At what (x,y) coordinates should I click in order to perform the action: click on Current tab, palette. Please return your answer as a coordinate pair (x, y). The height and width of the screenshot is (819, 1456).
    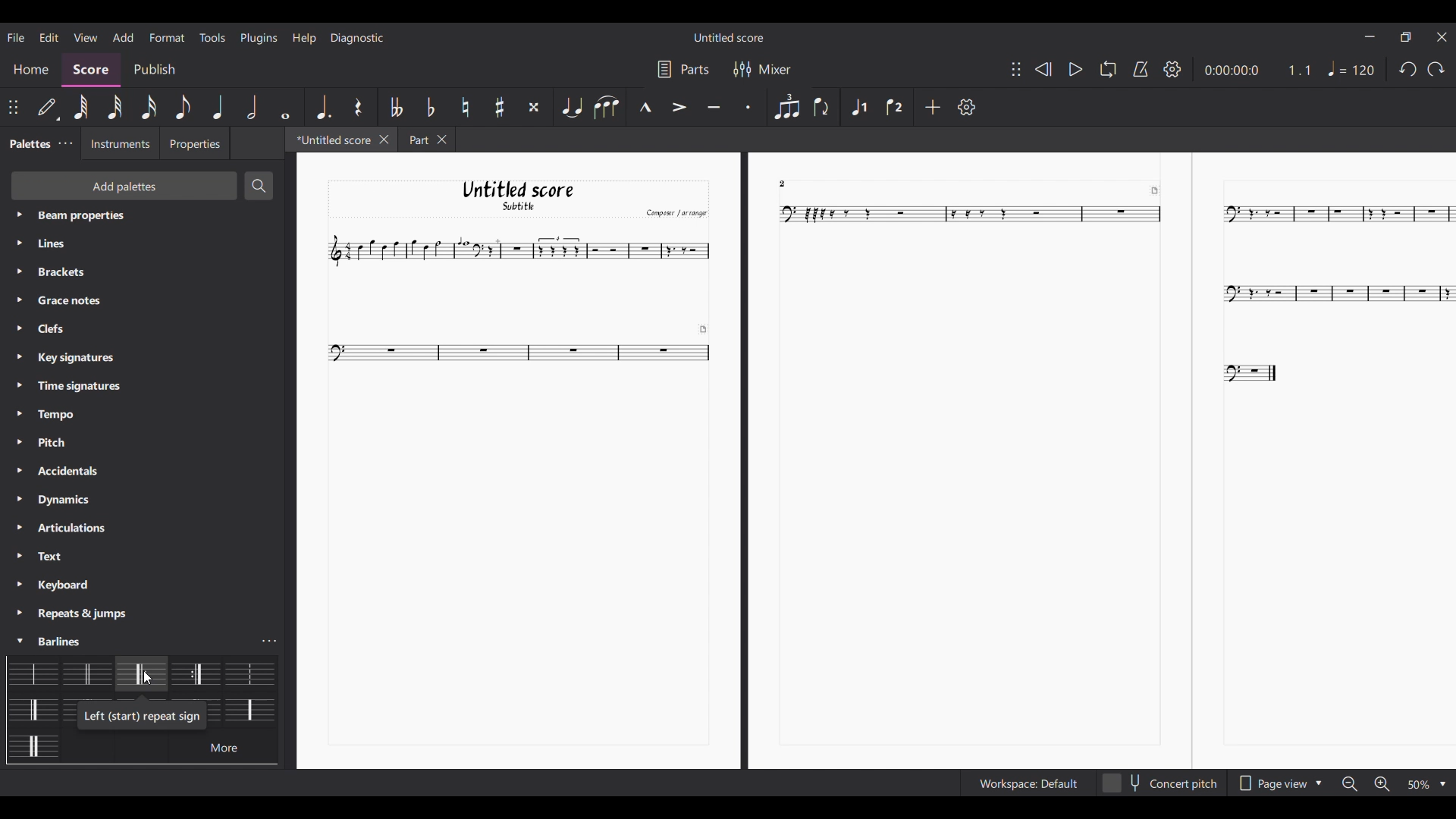
    Looking at the image, I should click on (29, 143).